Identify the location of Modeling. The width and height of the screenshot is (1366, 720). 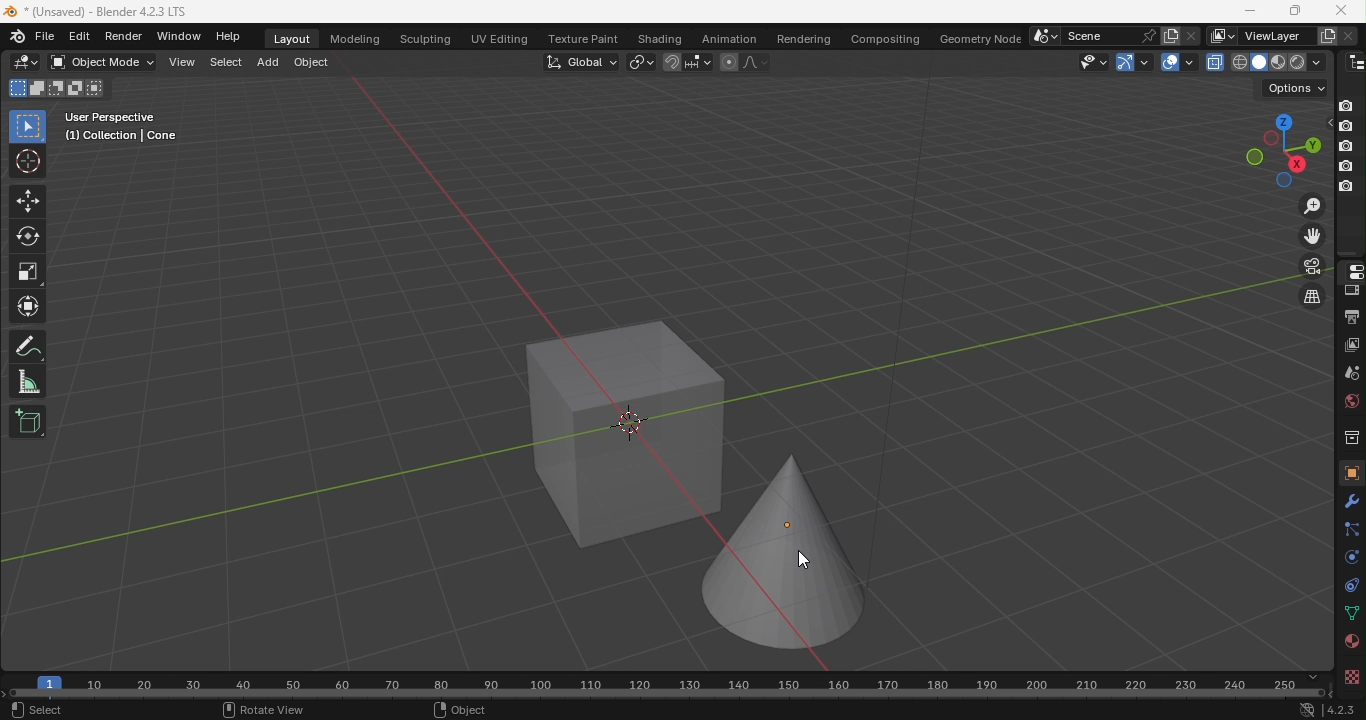
(353, 37).